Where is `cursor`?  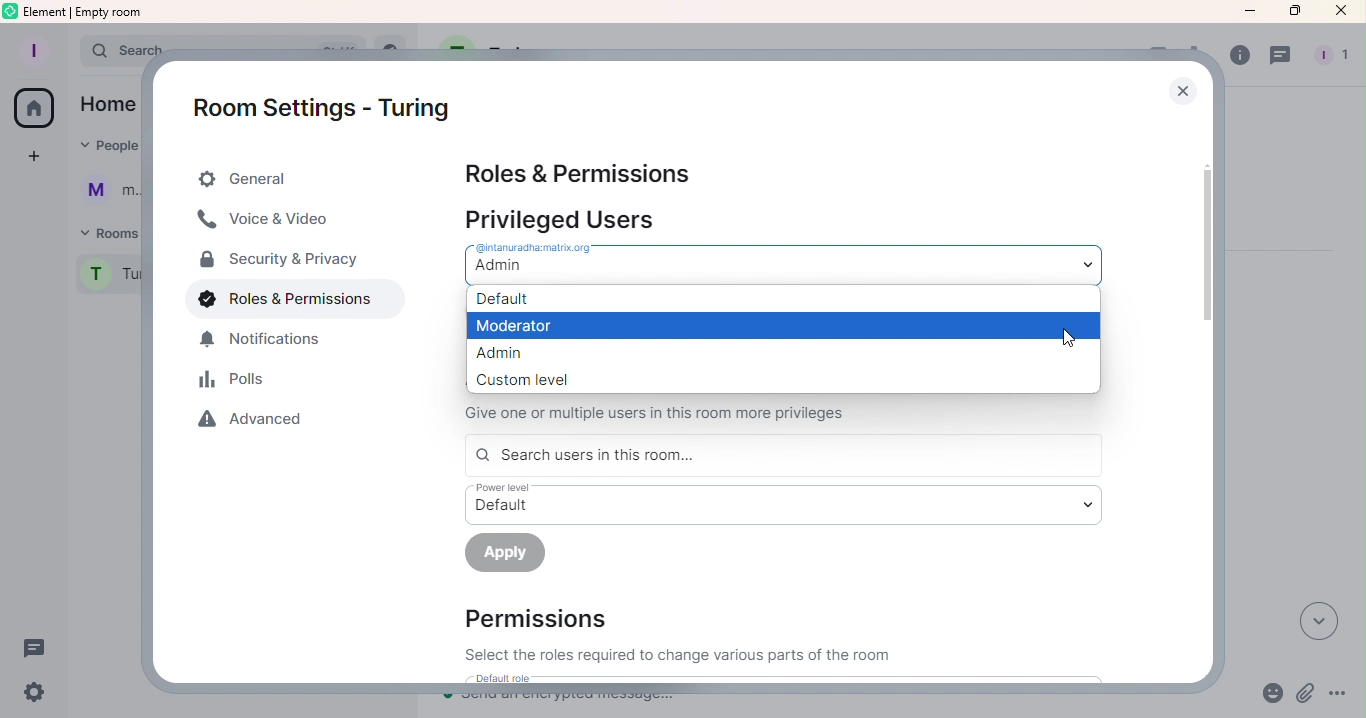
cursor is located at coordinates (1072, 344).